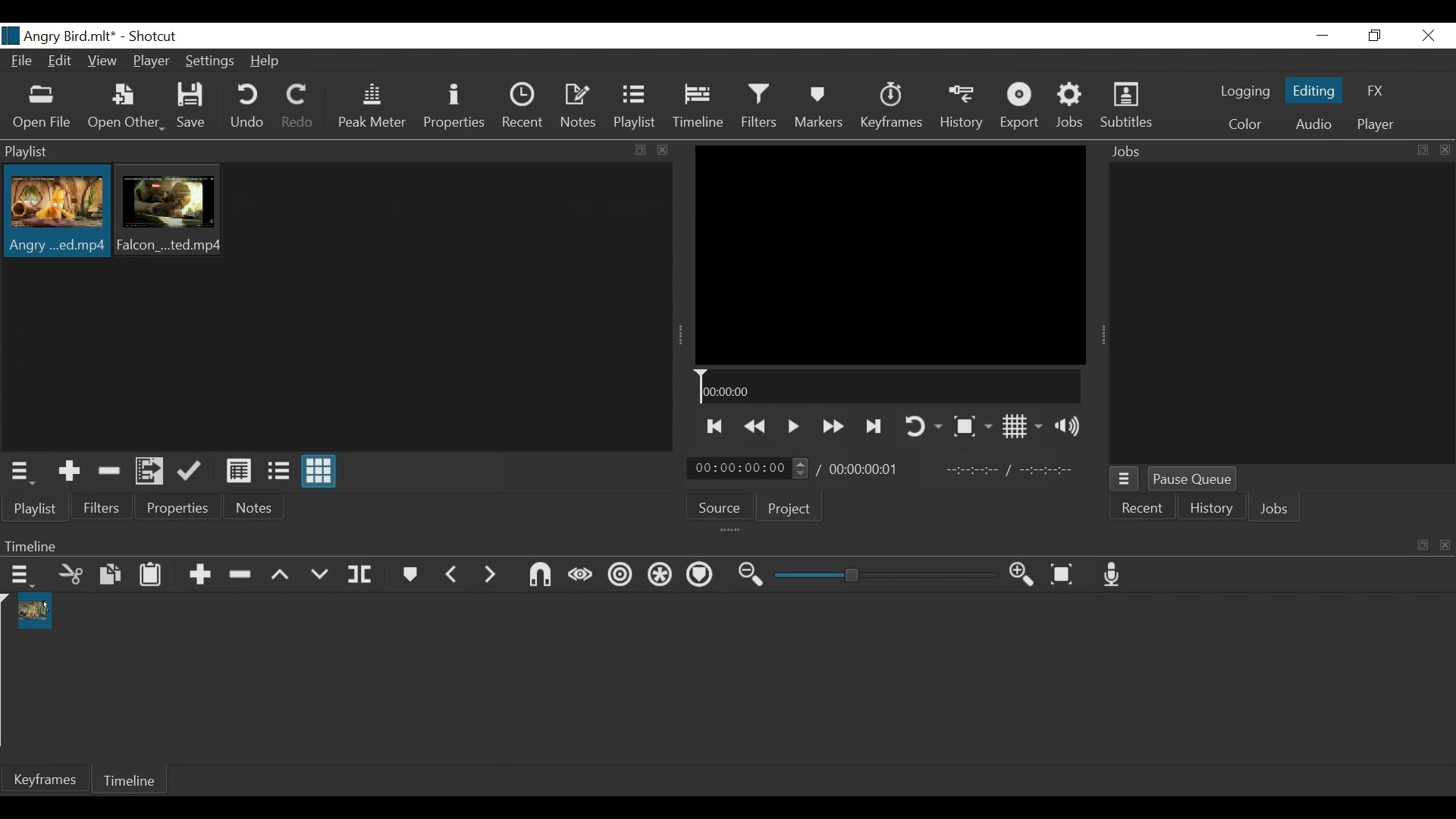 The height and width of the screenshot is (819, 1456). What do you see at coordinates (753, 576) in the screenshot?
I see `Zoom timeline out` at bounding box center [753, 576].